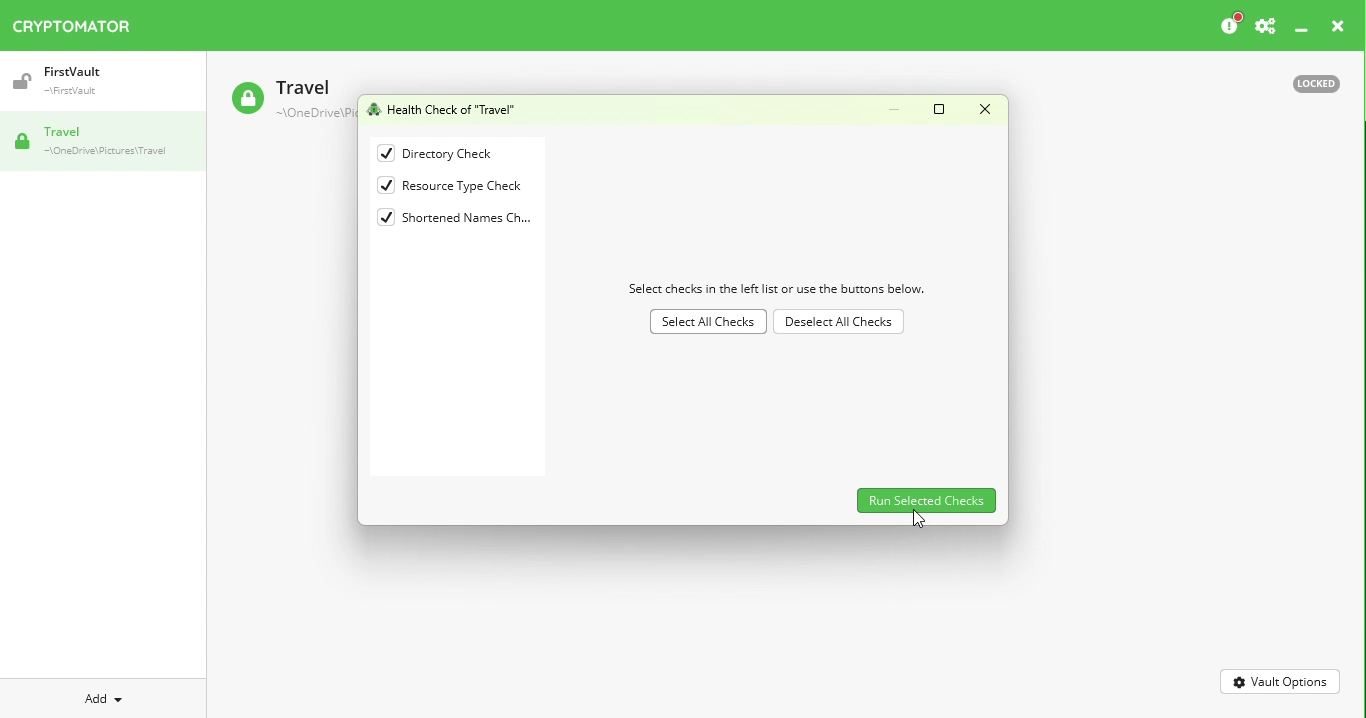  What do you see at coordinates (1343, 28) in the screenshot?
I see `close` at bounding box center [1343, 28].